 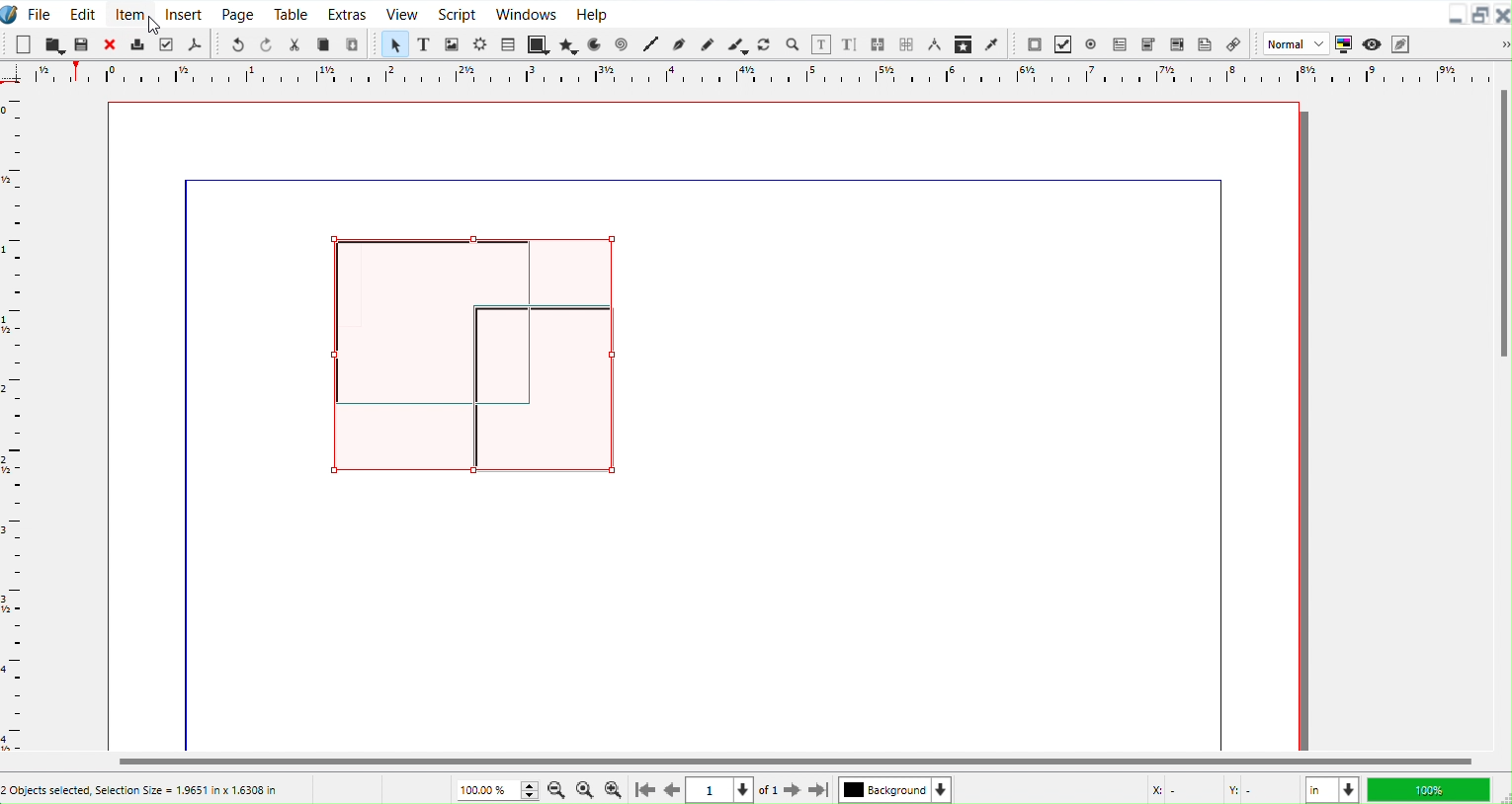 What do you see at coordinates (1501, 404) in the screenshot?
I see `Vertical Scroll Bar` at bounding box center [1501, 404].